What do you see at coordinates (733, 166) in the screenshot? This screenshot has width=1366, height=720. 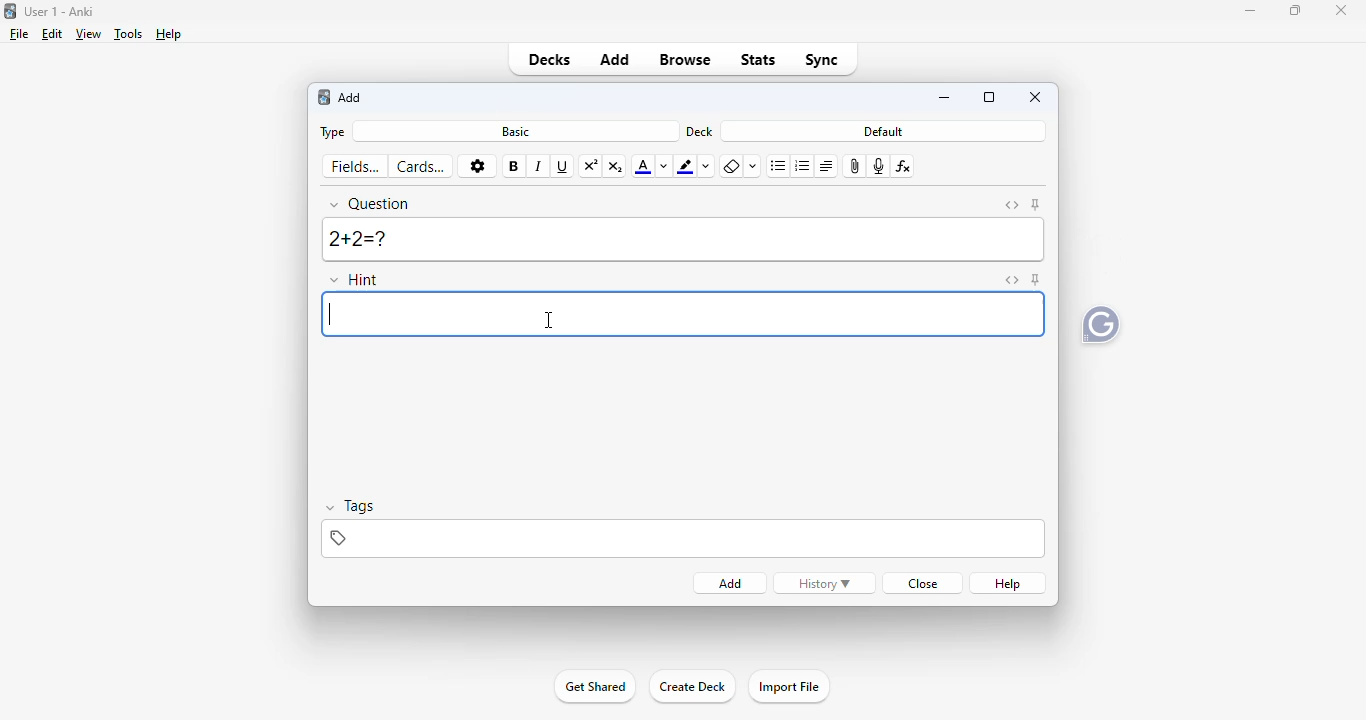 I see `remove formatting` at bounding box center [733, 166].